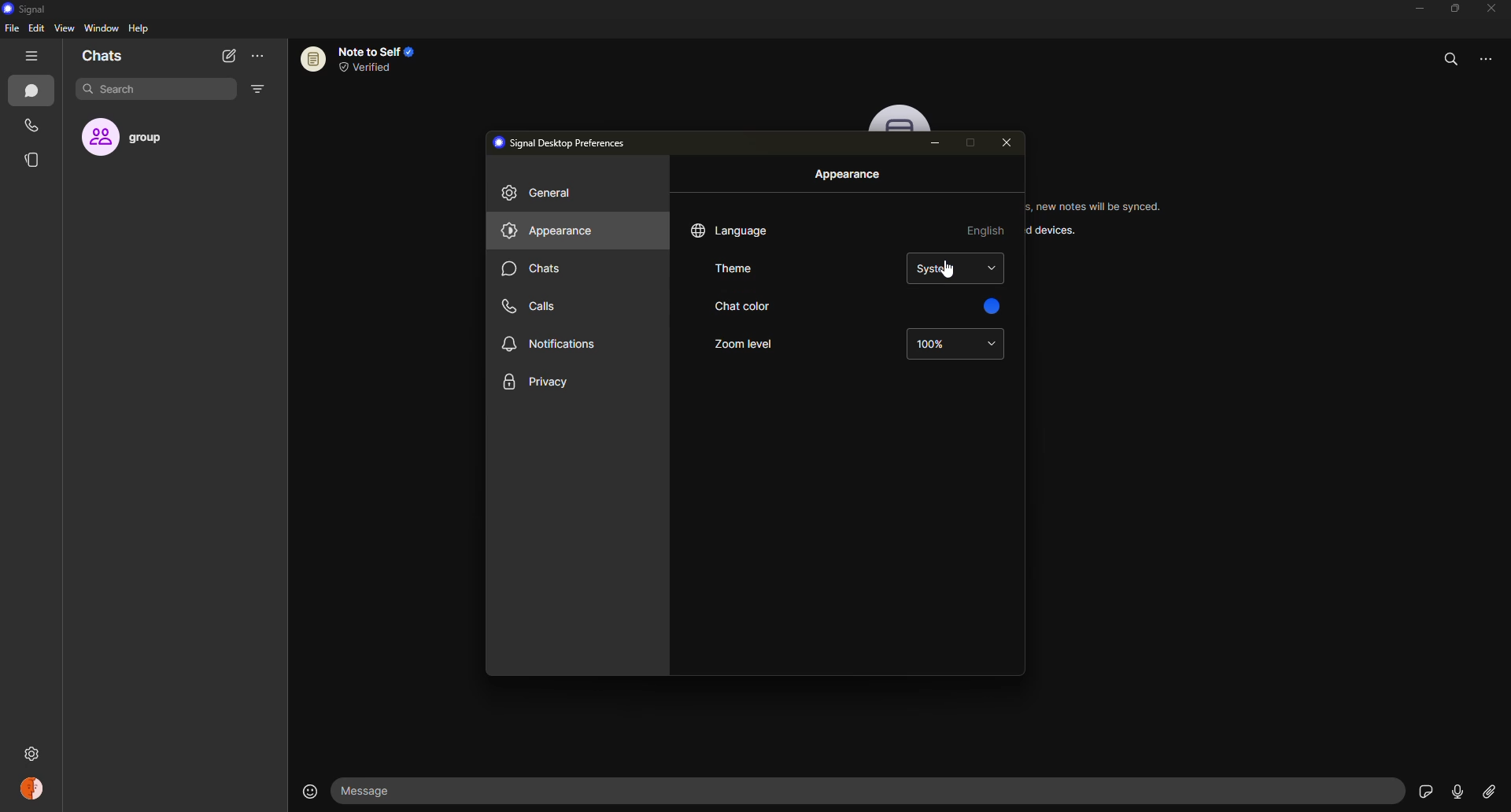 This screenshot has width=1511, height=812. I want to click on close, so click(1494, 9).